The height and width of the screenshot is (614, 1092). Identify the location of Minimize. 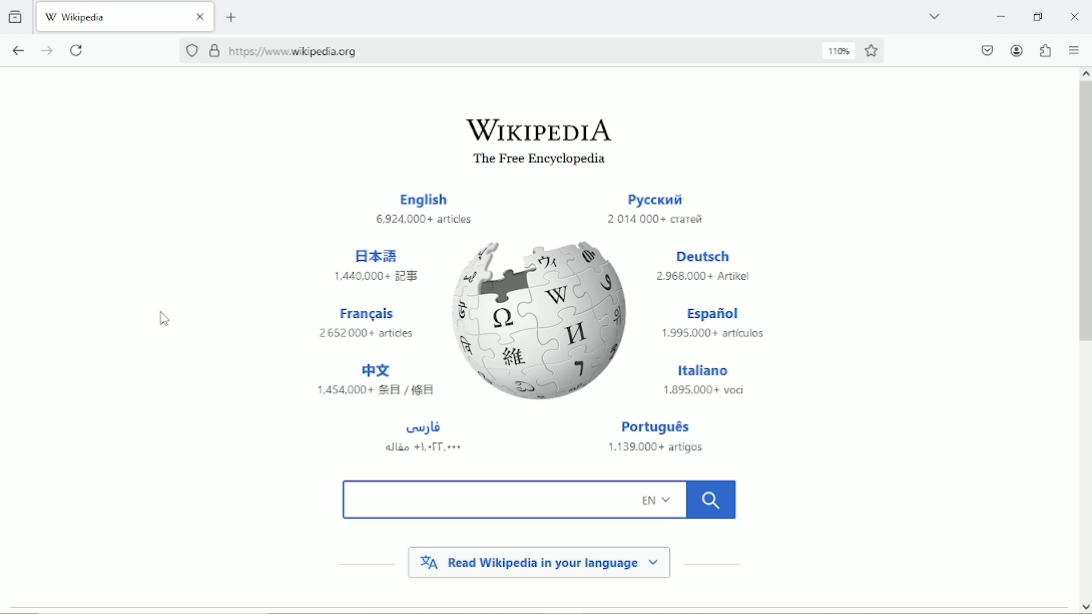
(1000, 15).